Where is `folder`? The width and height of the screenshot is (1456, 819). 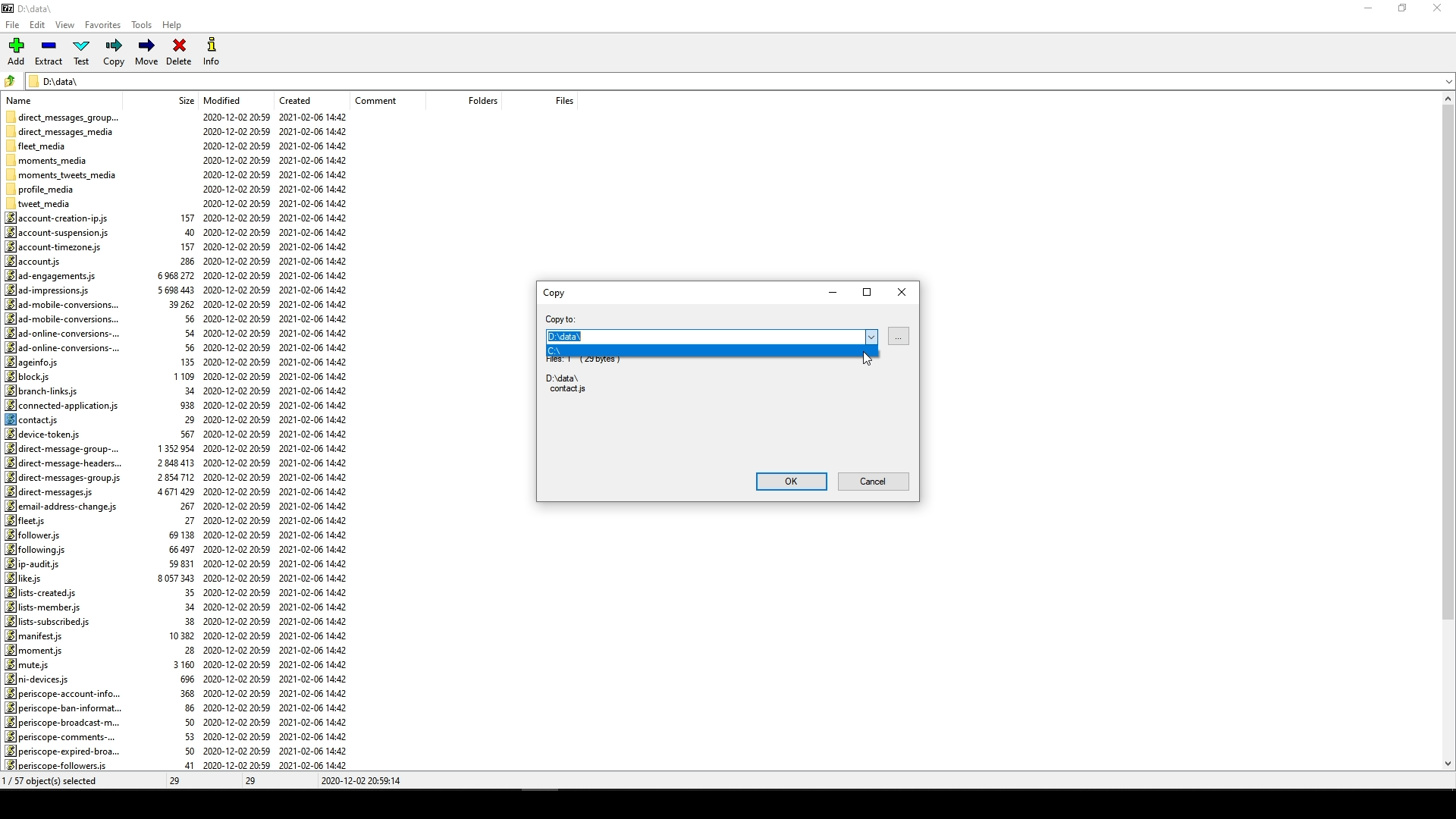
folder is located at coordinates (11, 79).